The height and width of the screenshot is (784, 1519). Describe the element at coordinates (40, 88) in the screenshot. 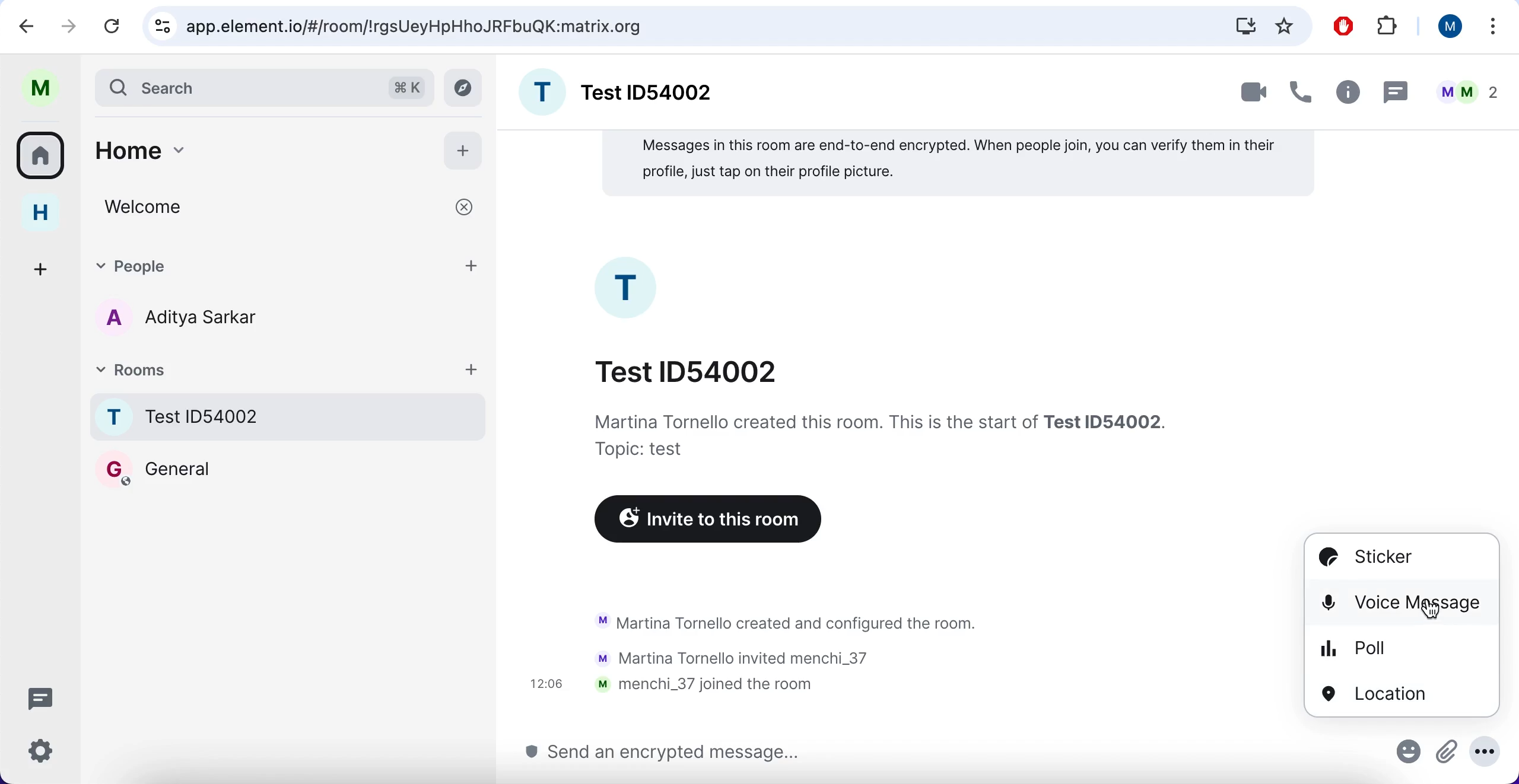

I see `user` at that location.